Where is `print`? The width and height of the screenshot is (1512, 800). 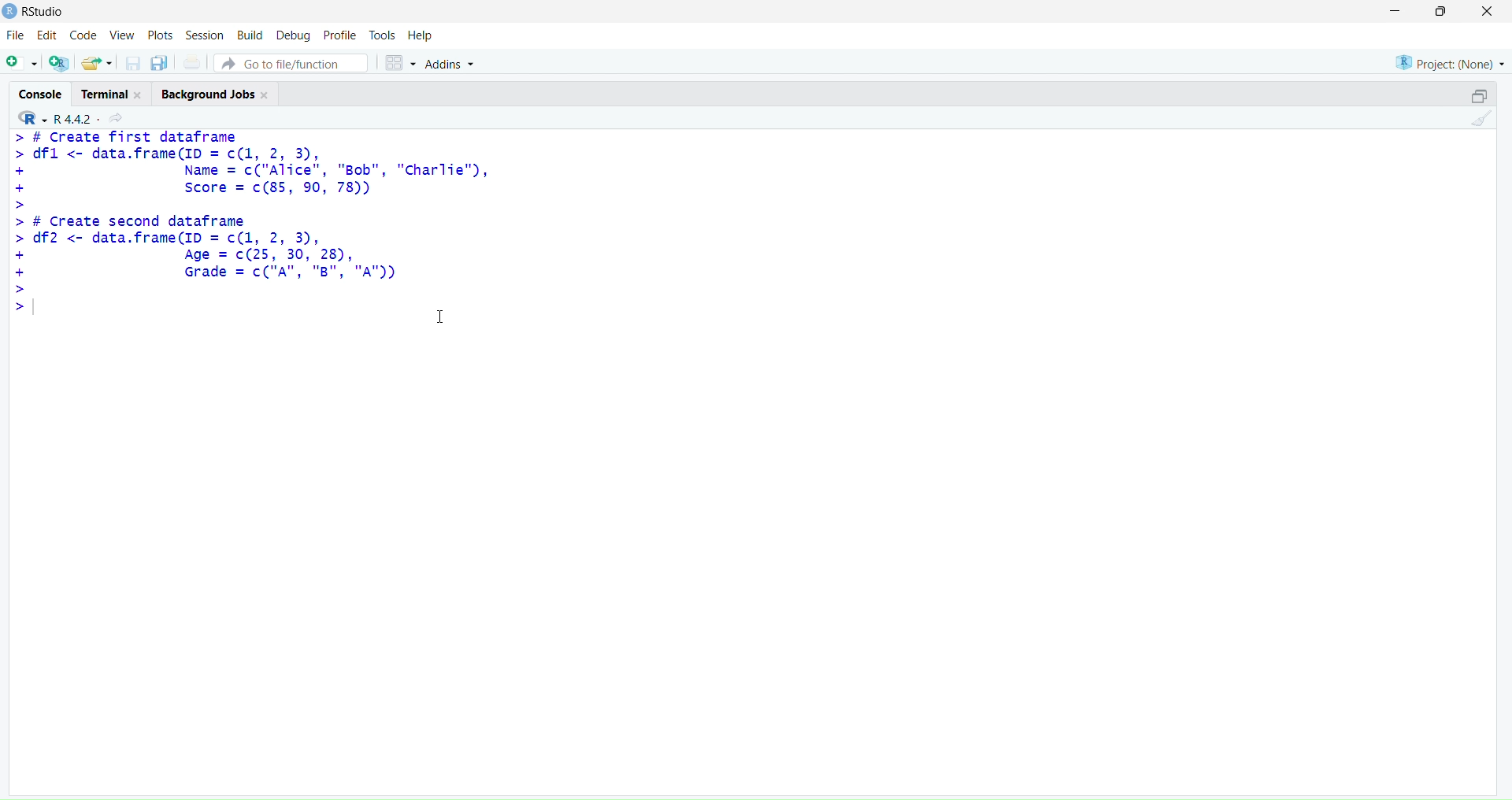
print is located at coordinates (191, 63).